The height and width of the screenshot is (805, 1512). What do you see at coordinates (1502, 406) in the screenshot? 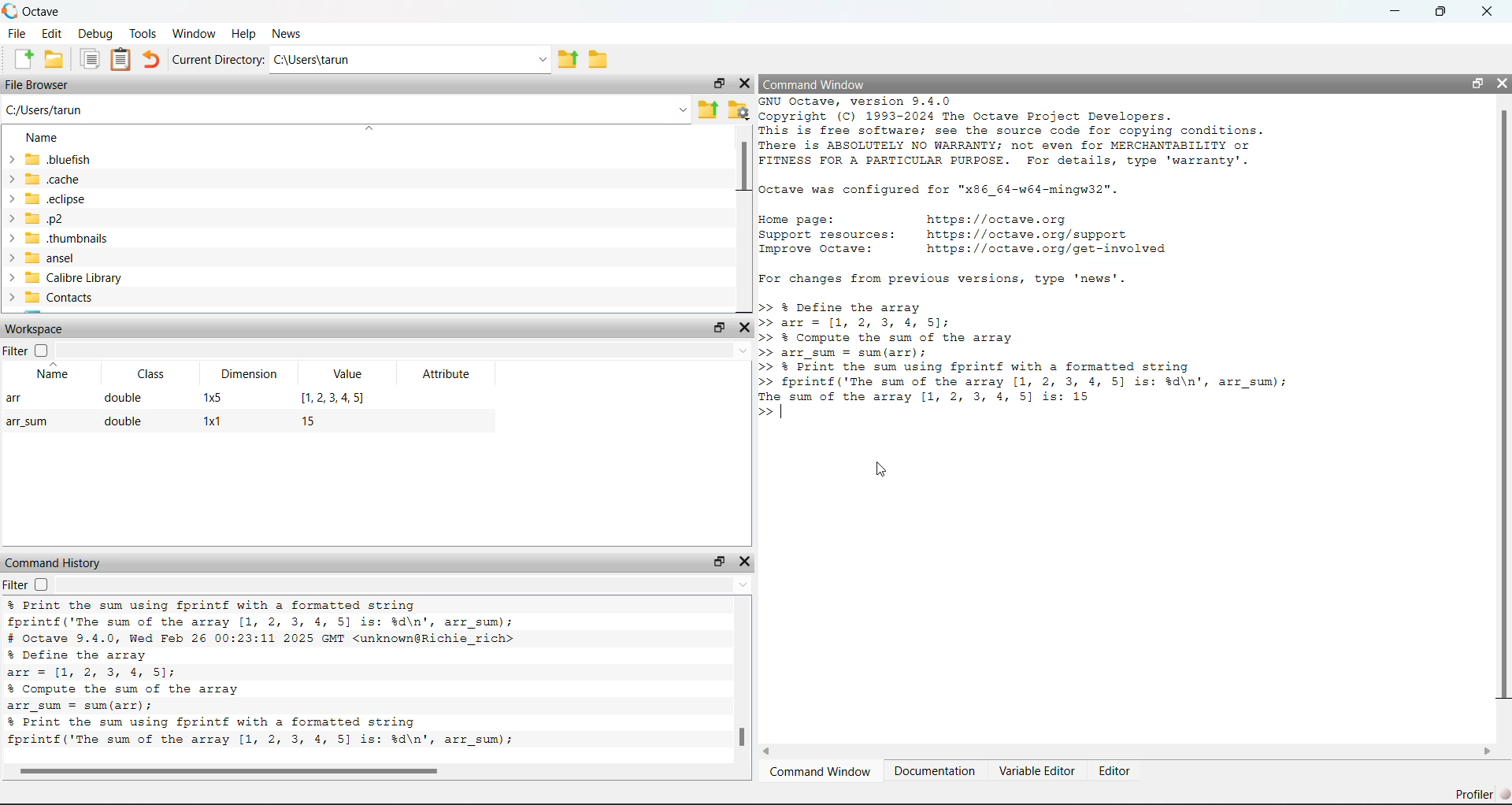
I see `Scrollbar` at bounding box center [1502, 406].